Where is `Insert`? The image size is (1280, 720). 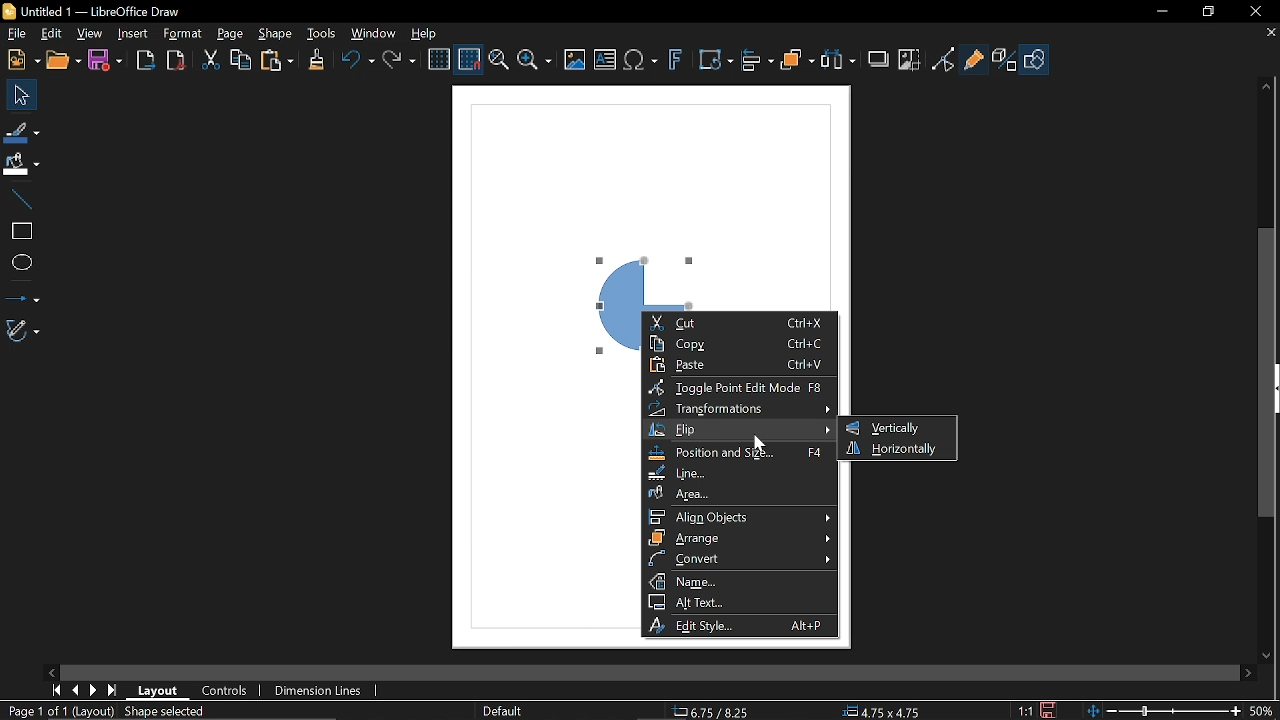 Insert is located at coordinates (134, 34).